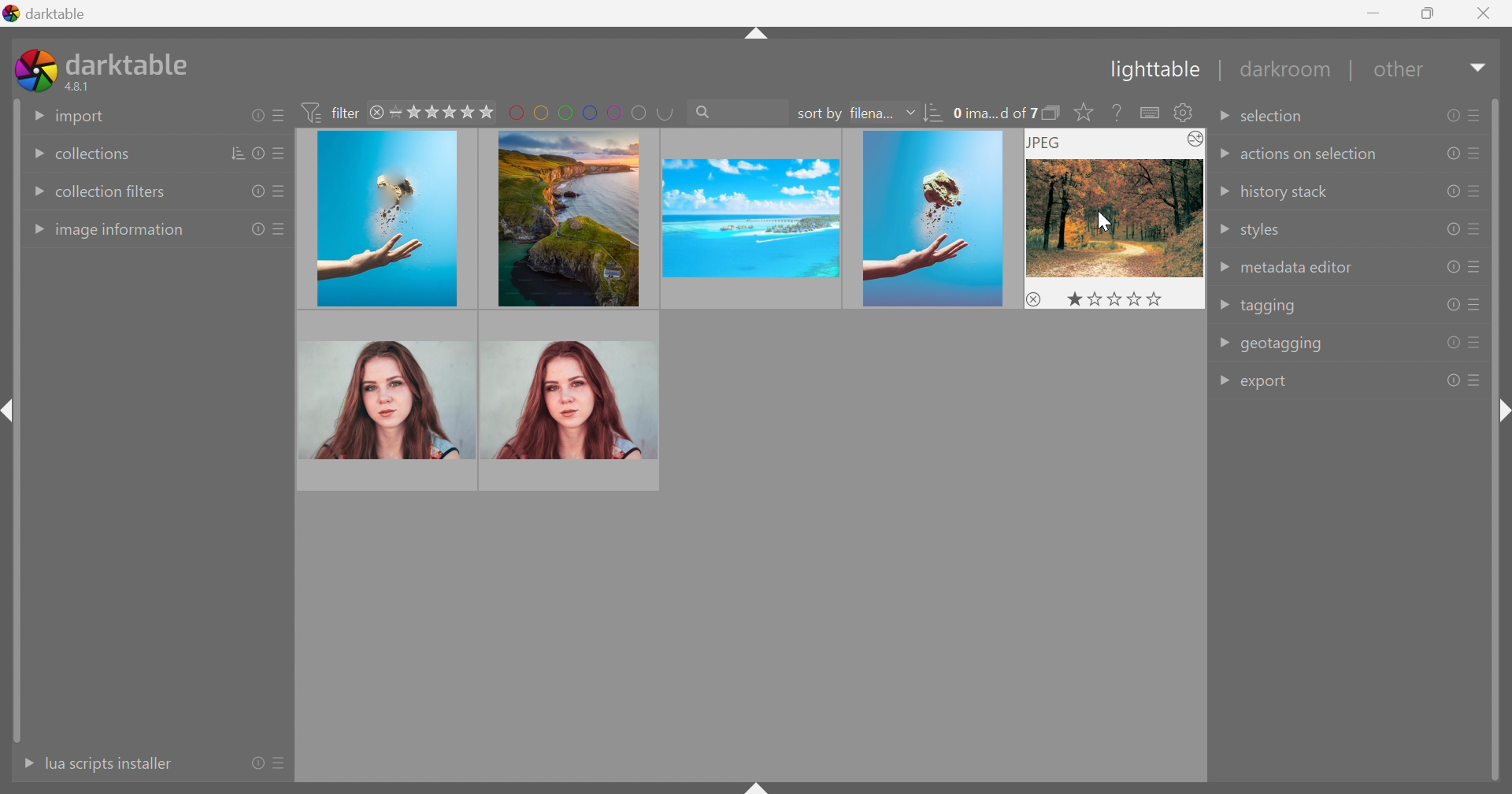  Describe the element at coordinates (239, 153) in the screenshot. I see `sort` at that location.